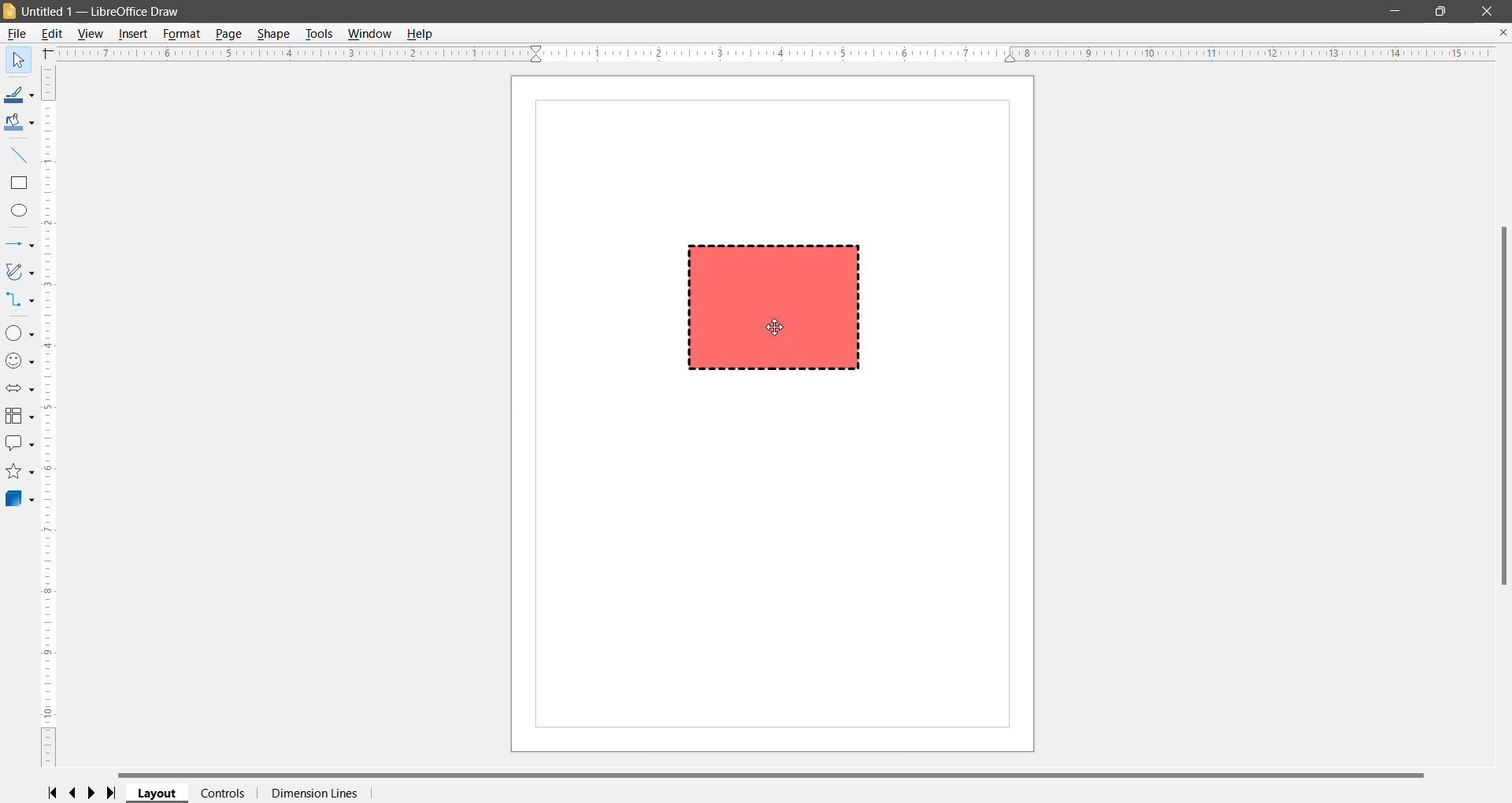  What do you see at coordinates (773, 775) in the screenshot?
I see `Horizontal Scroll Bar` at bounding box center [773, 775].